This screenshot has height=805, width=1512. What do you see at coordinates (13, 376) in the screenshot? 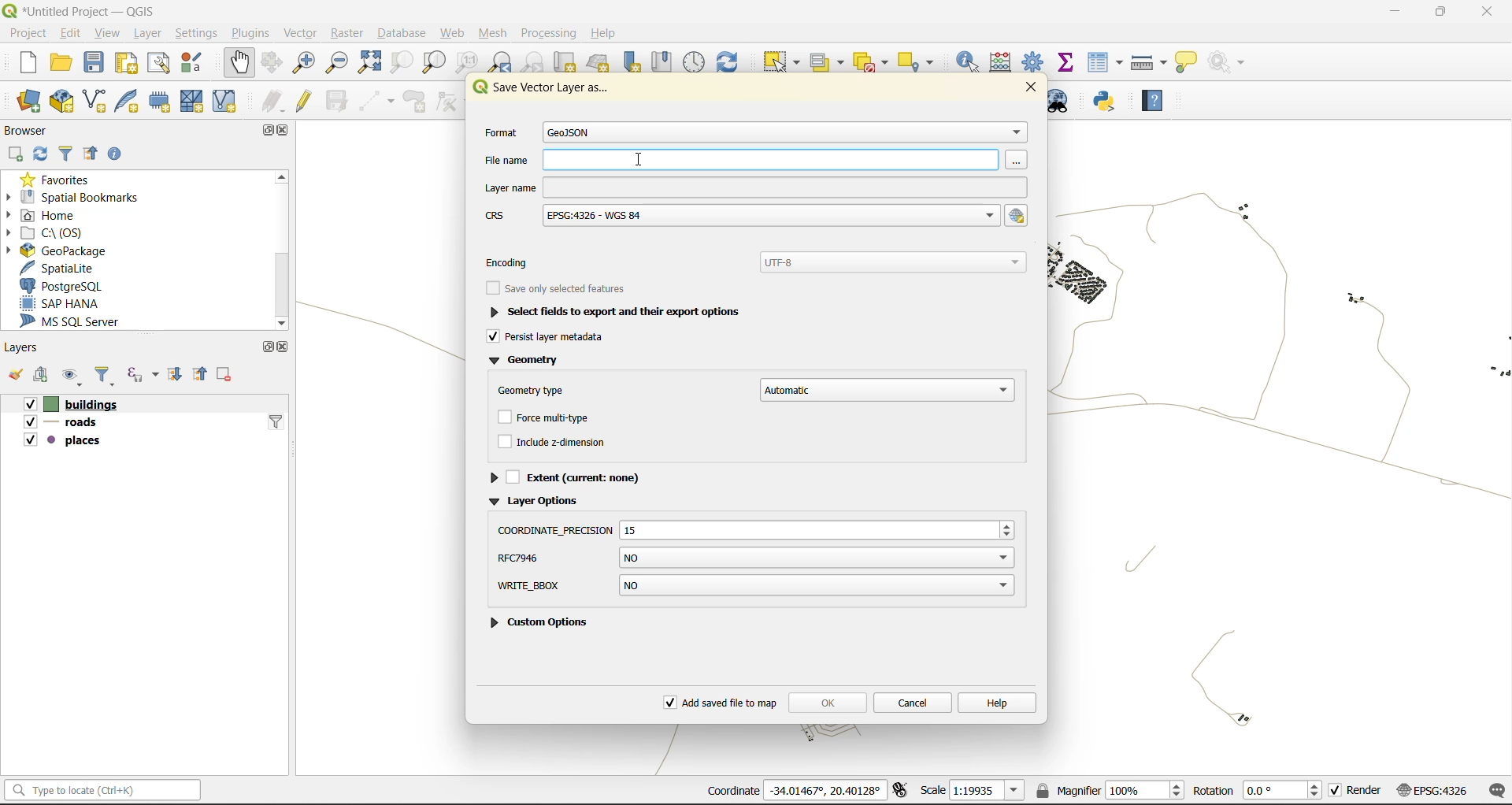
I see `open` at bounding box center [13, 376].